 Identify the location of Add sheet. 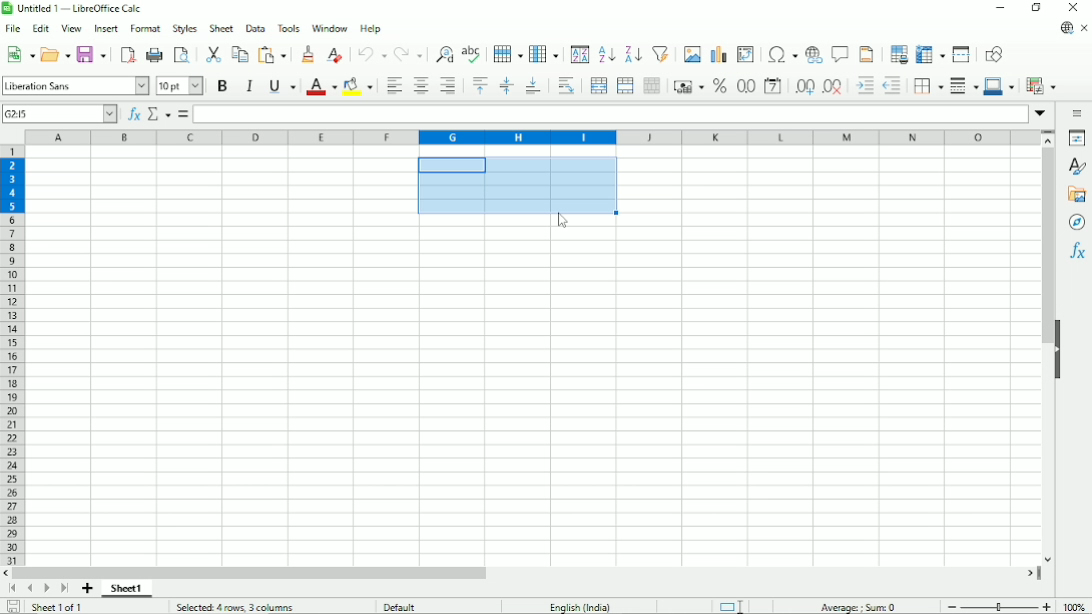
(88, 589).